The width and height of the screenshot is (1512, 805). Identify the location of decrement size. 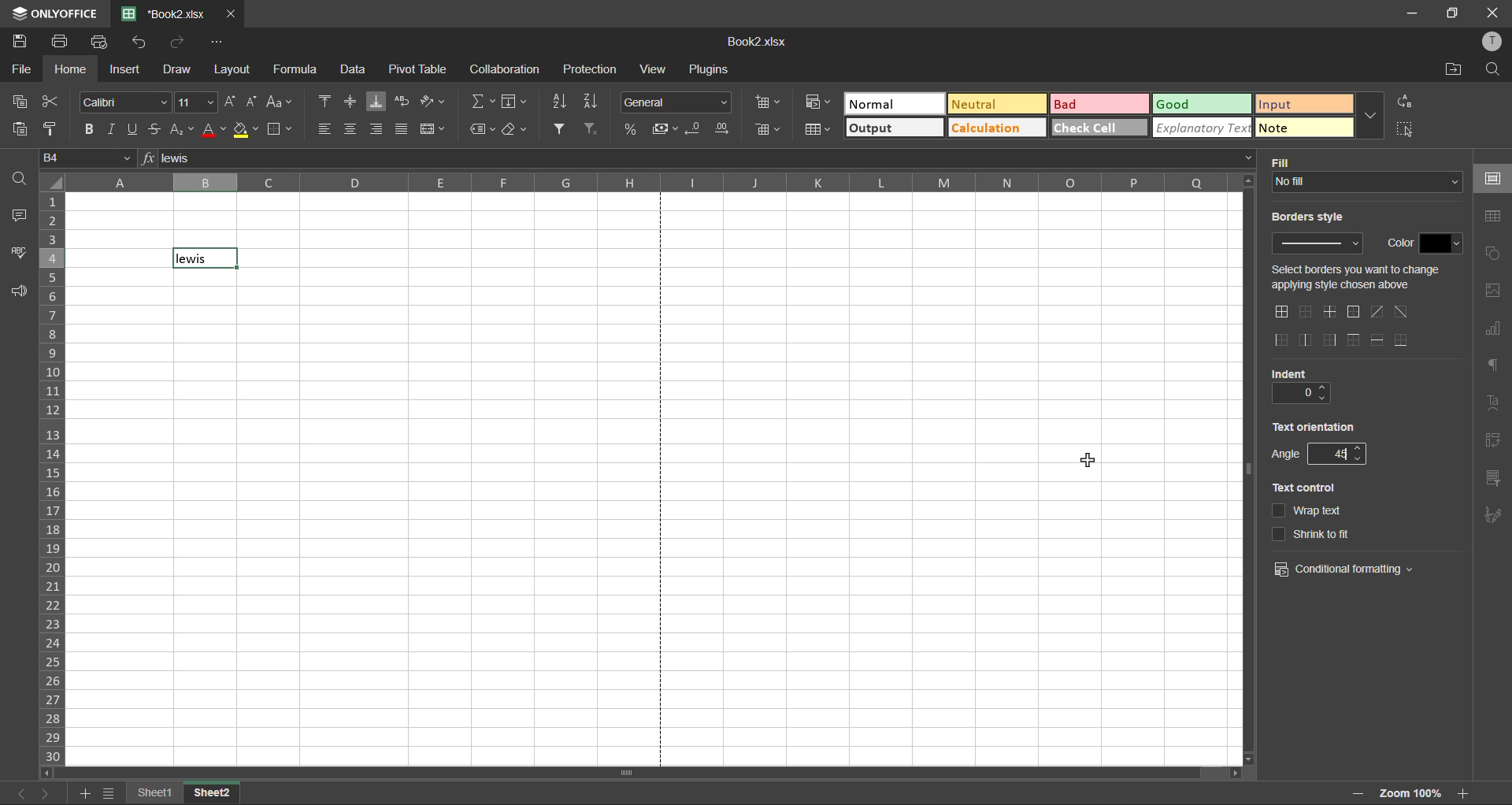
(254, 105).